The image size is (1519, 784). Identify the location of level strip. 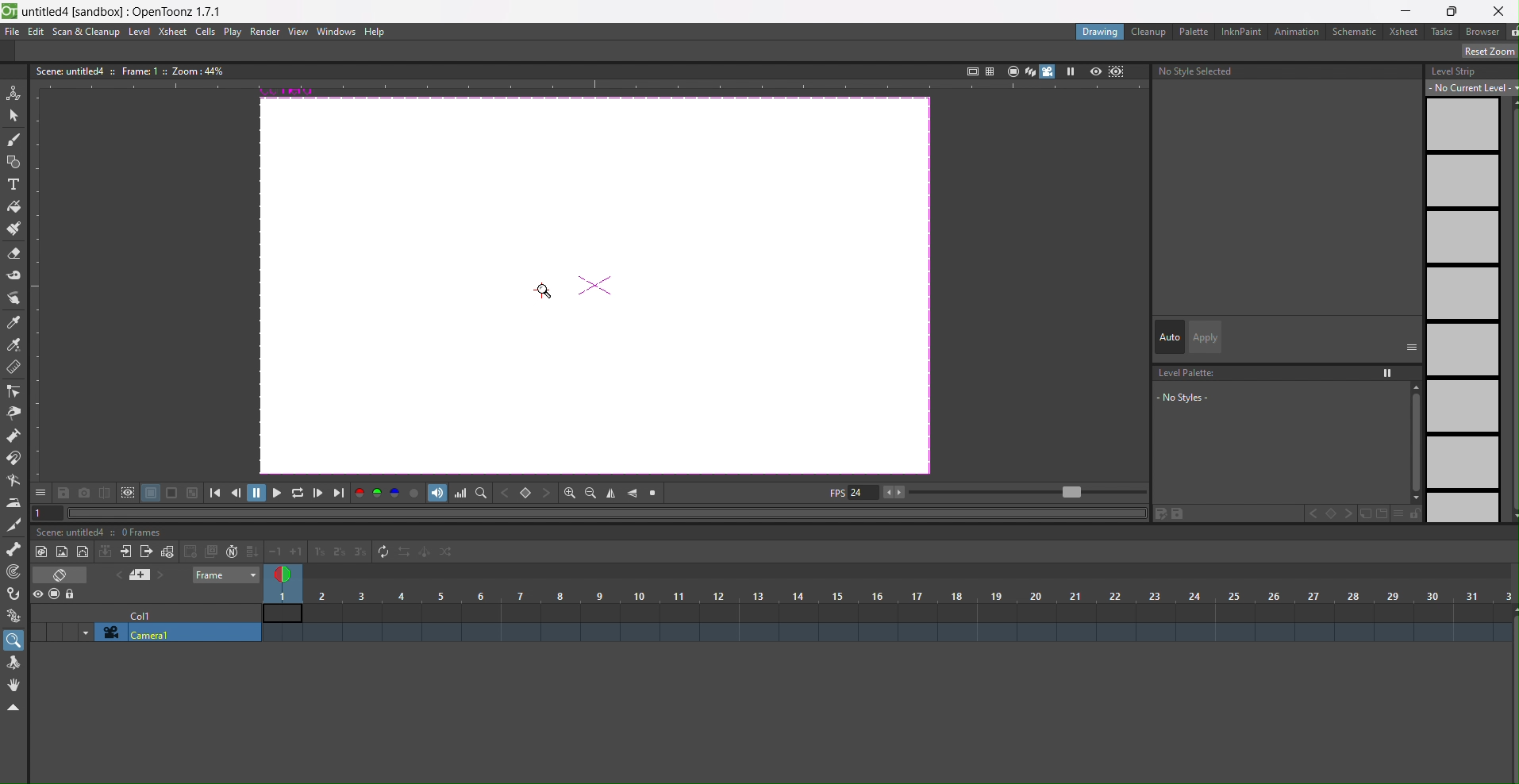
(1466, 294).